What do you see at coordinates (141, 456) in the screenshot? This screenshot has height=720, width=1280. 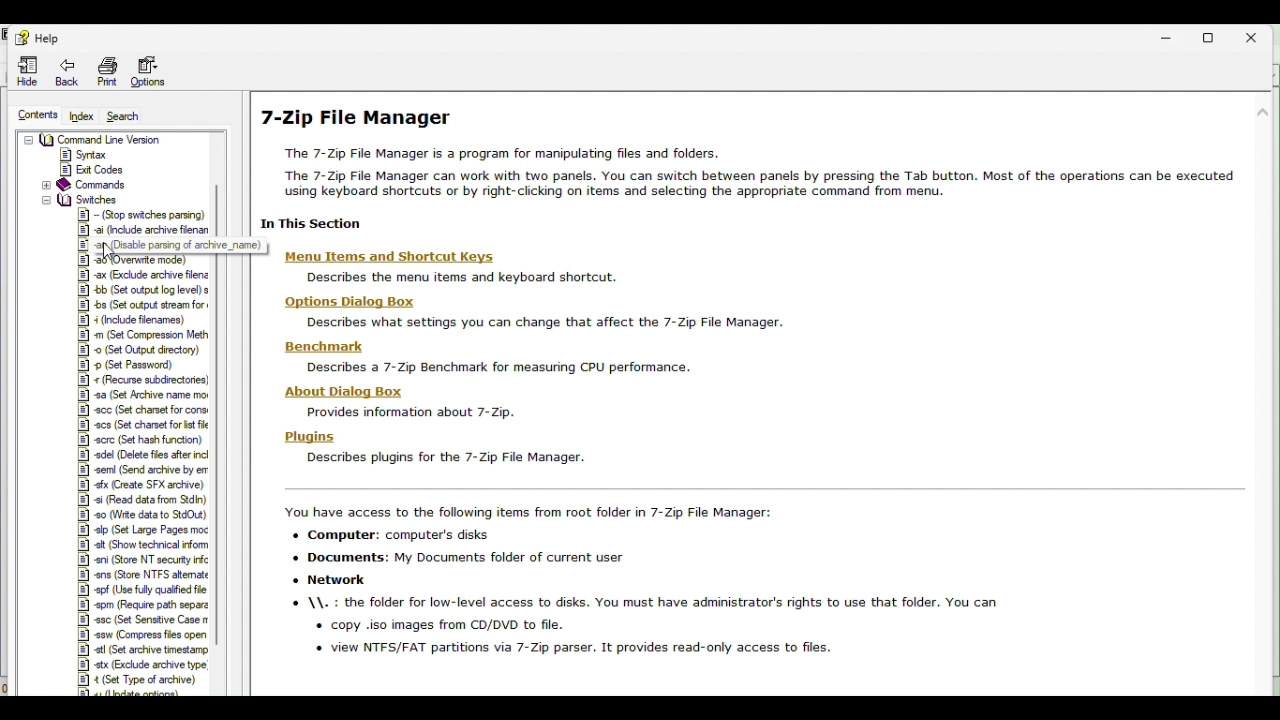 I see `5] adel (Delete files after incl` at bounding box center [141, 456].